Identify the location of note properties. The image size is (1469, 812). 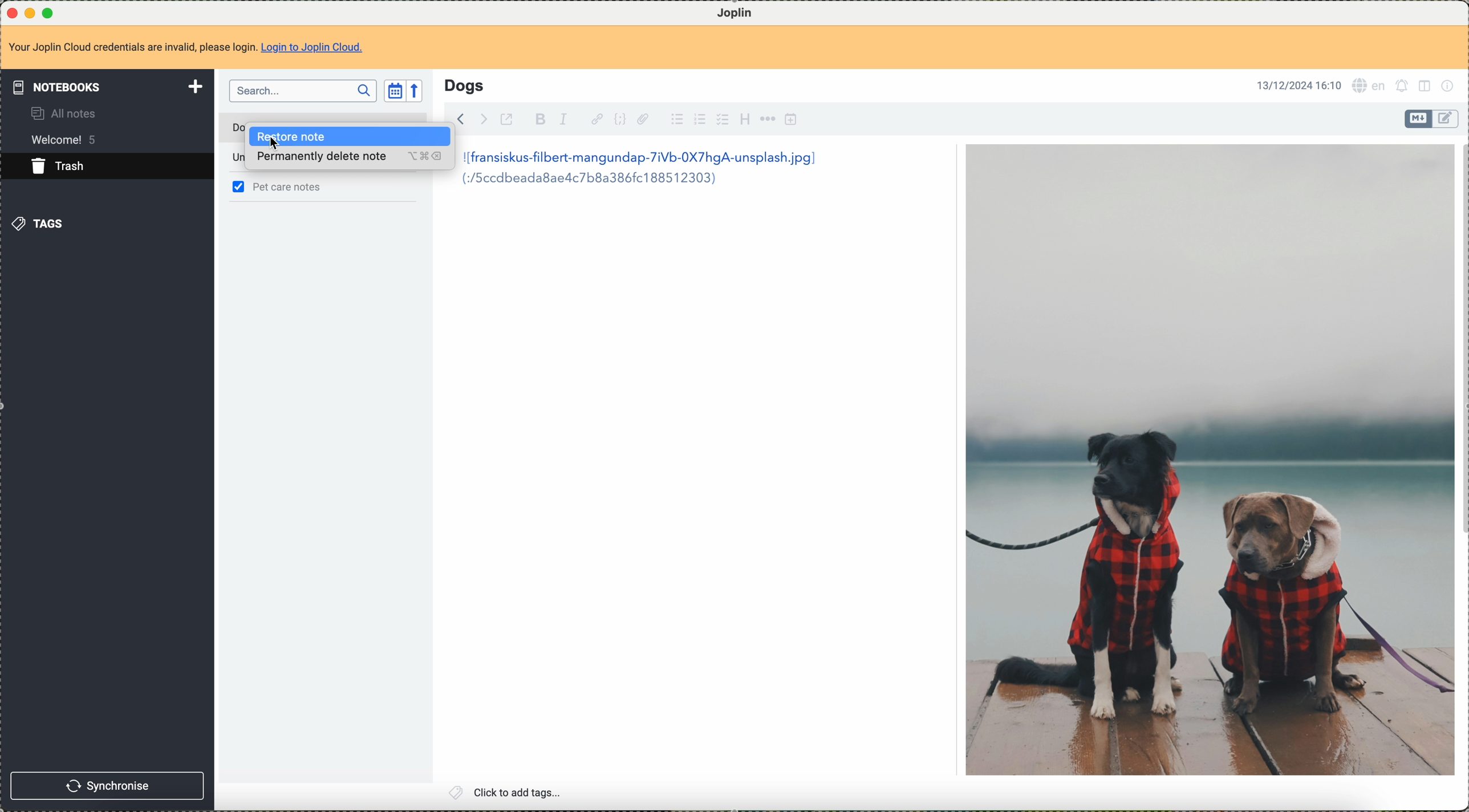
(1451, 87).